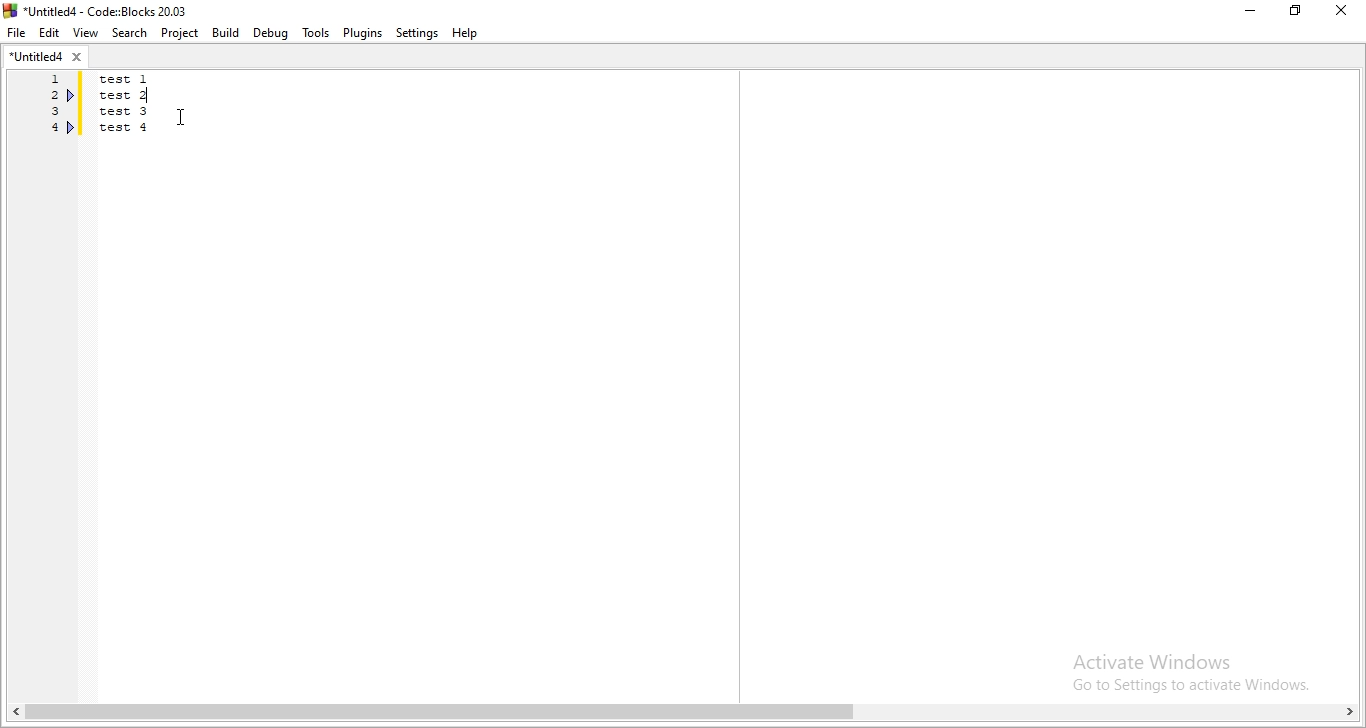 The height and width of the screenshot is (728, 1366). I want to click on Edit , so click(50, 33).